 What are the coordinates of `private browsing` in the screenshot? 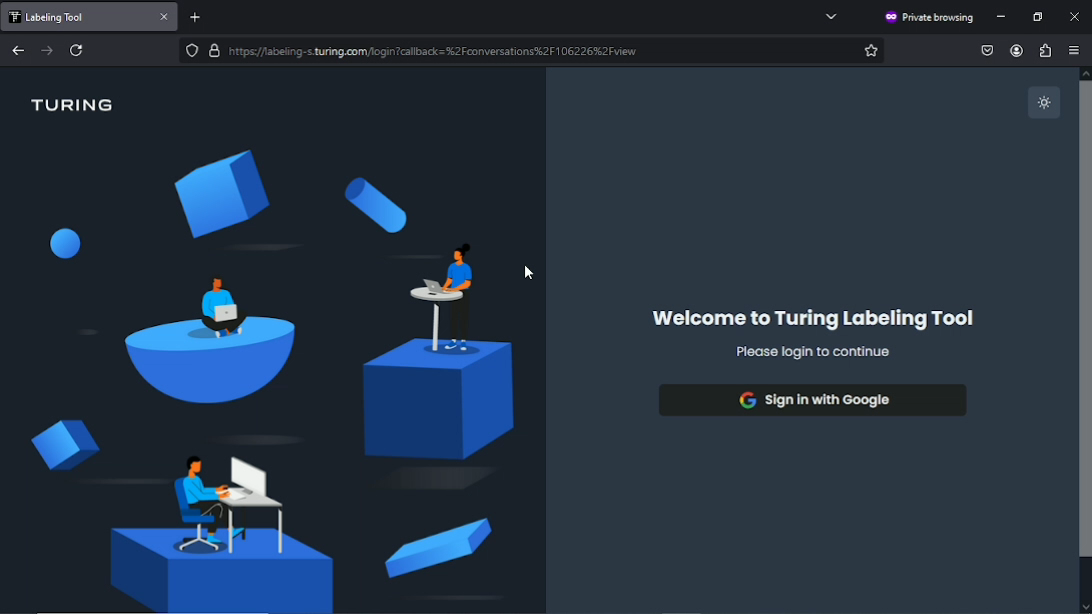 It's located at (928, 18).